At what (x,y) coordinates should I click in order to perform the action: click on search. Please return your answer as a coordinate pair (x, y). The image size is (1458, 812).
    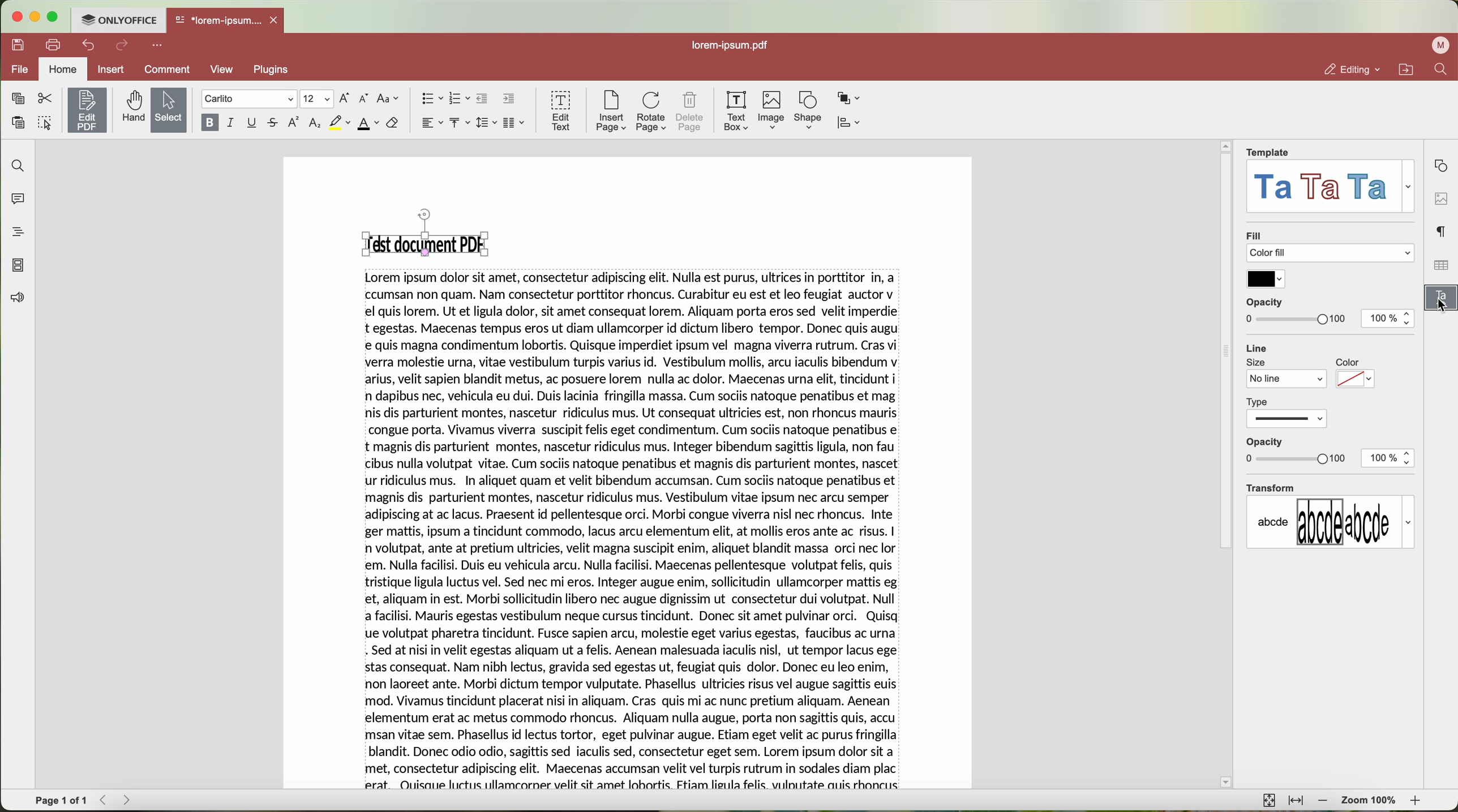
    Looking at the image, I should click on (16, 166).